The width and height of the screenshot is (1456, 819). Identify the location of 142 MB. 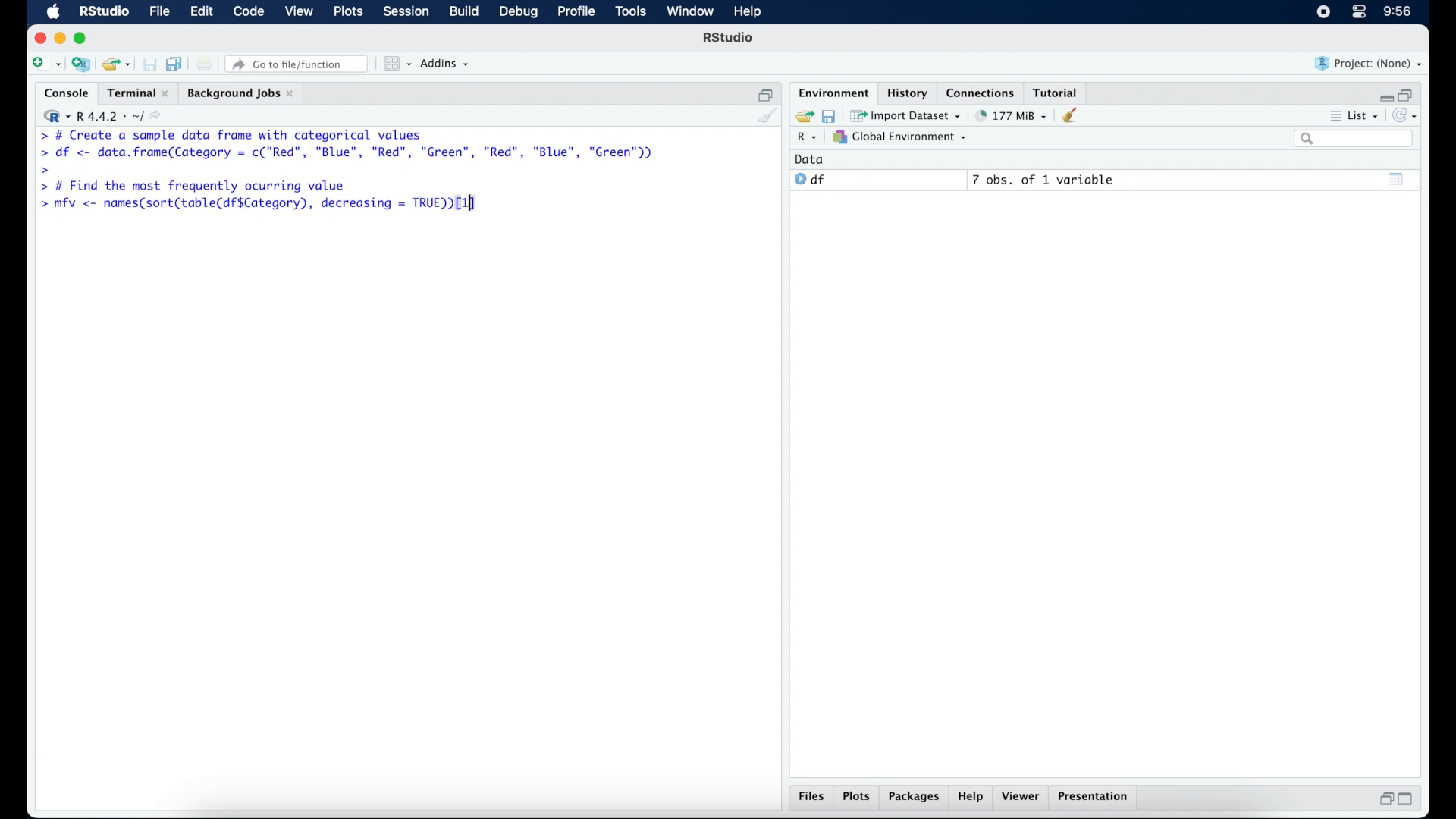
(1012, 115).